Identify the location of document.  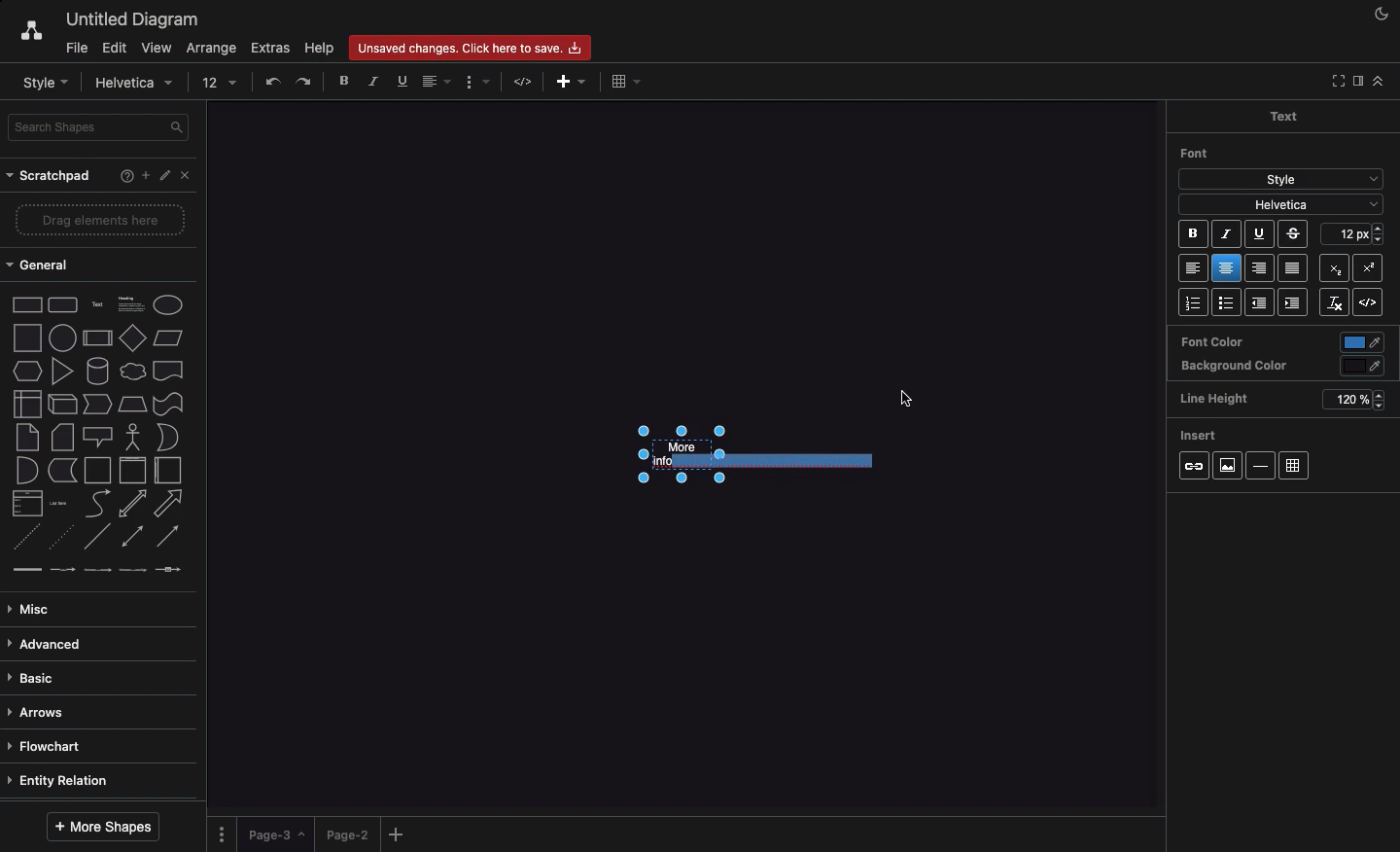
(169, 371).